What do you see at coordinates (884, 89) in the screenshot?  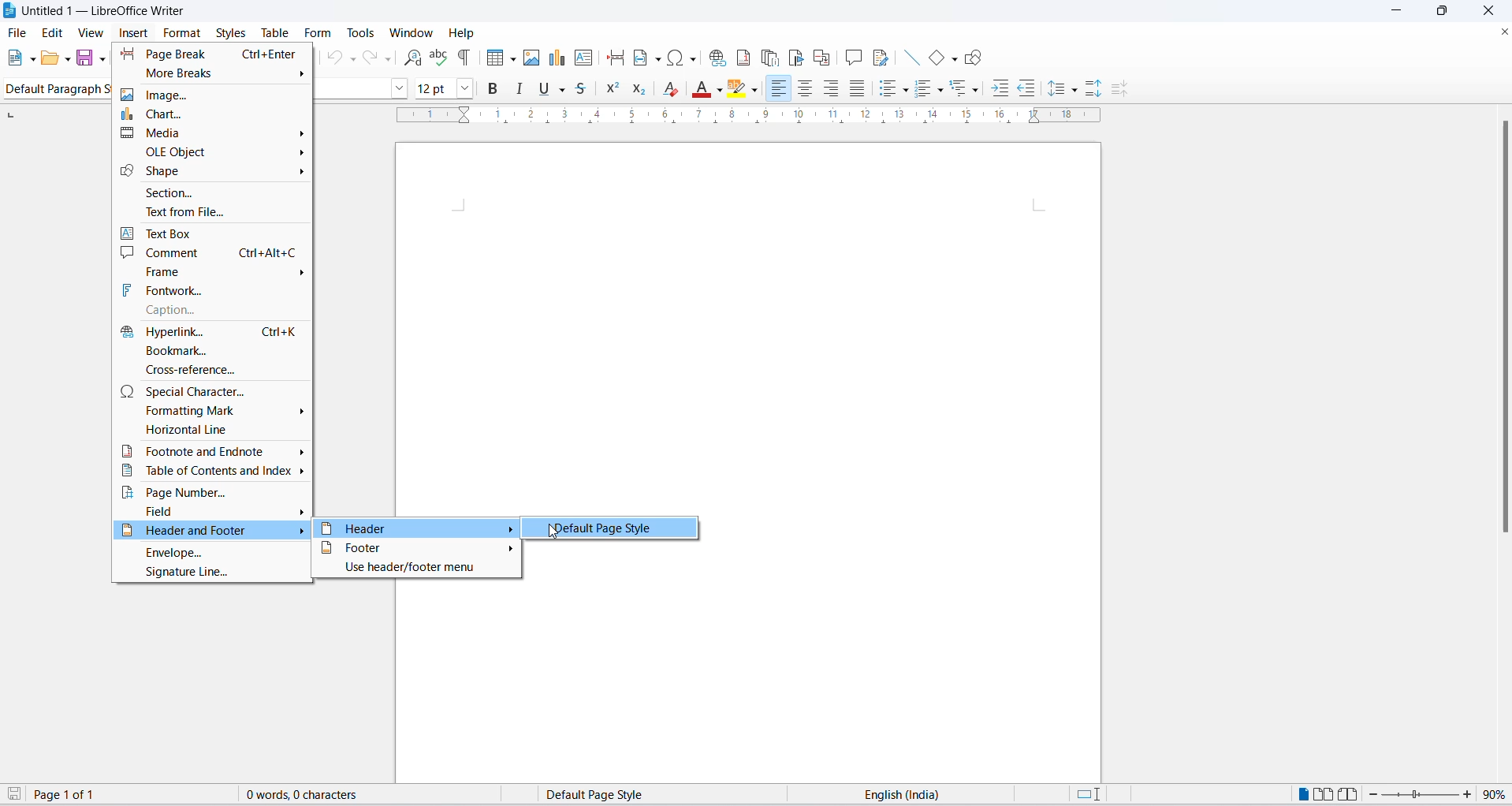 I see `toggle unordered list` at bounding box center [884, 89].